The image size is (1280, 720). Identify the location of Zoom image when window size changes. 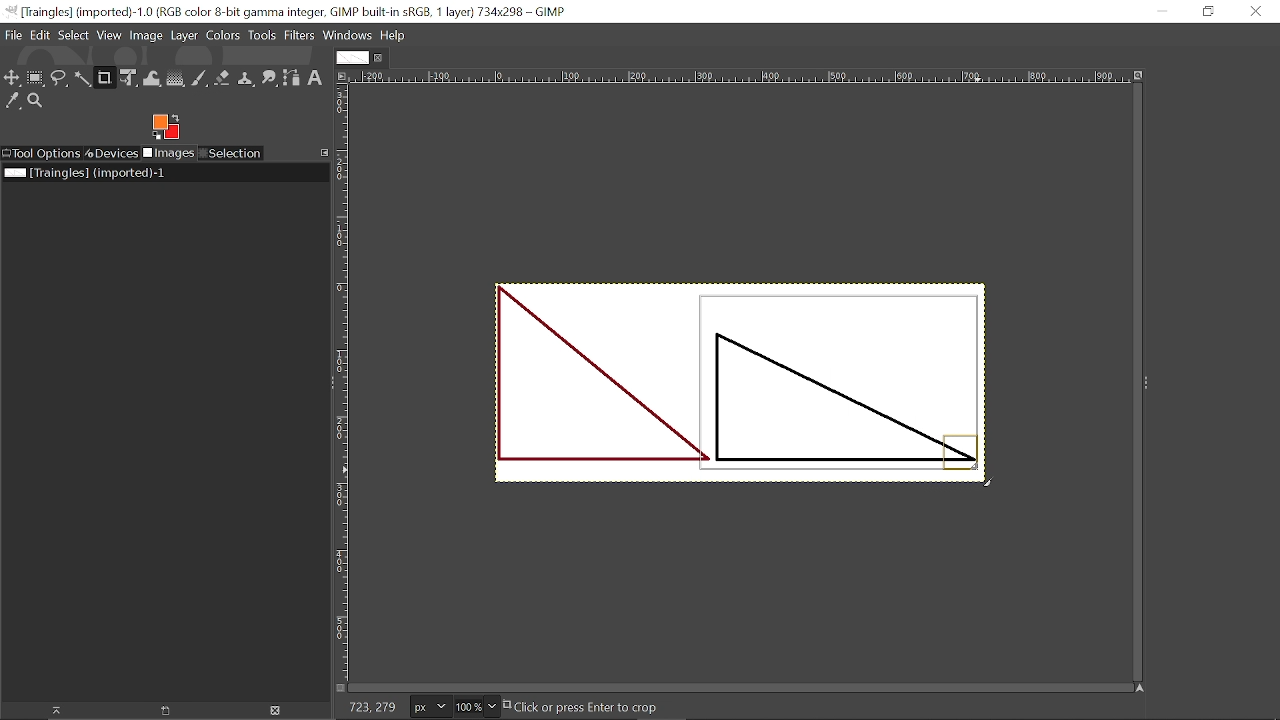
(1138, 74).